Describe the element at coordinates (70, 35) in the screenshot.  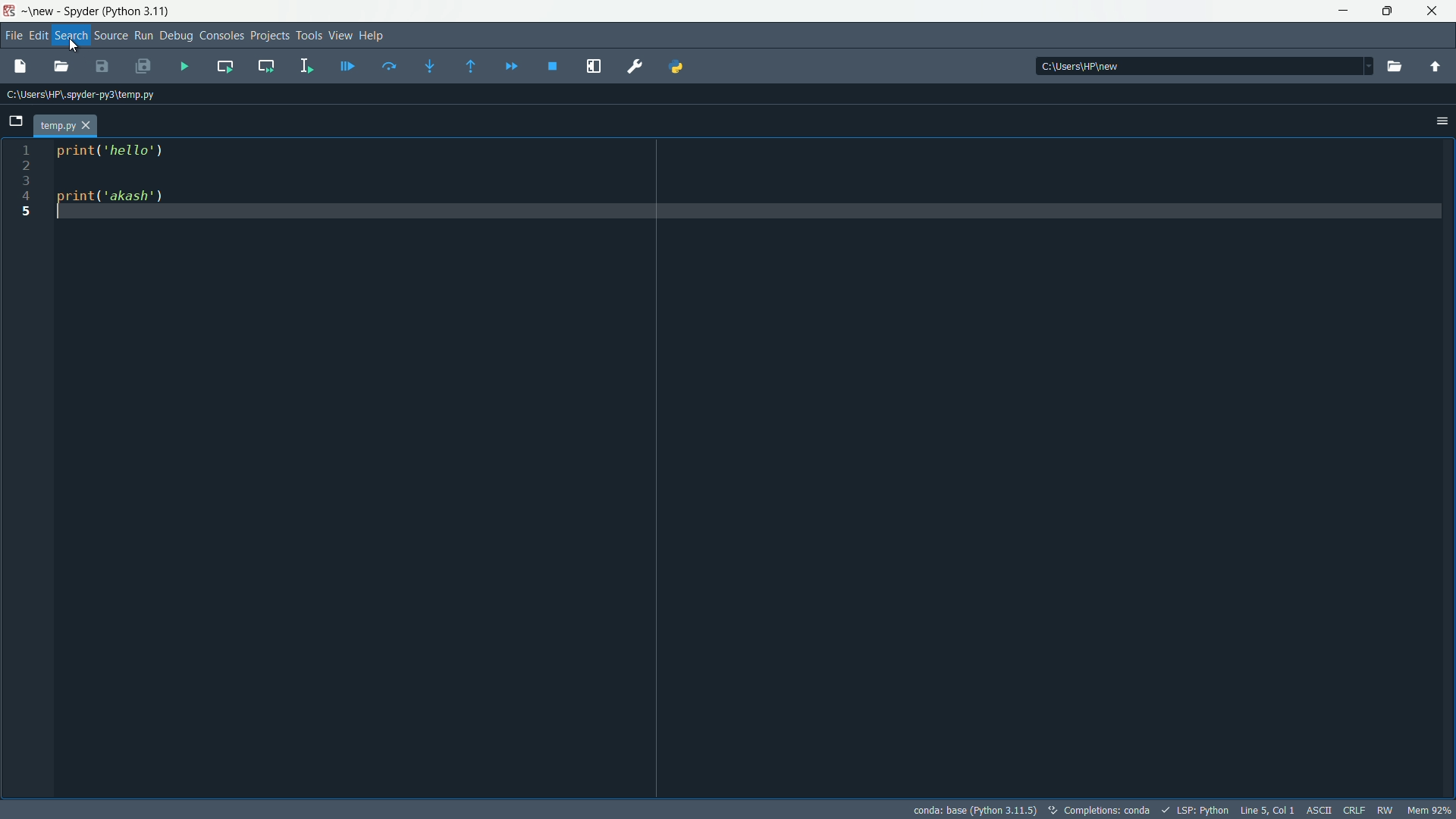
I see `Search Menu` at that location.